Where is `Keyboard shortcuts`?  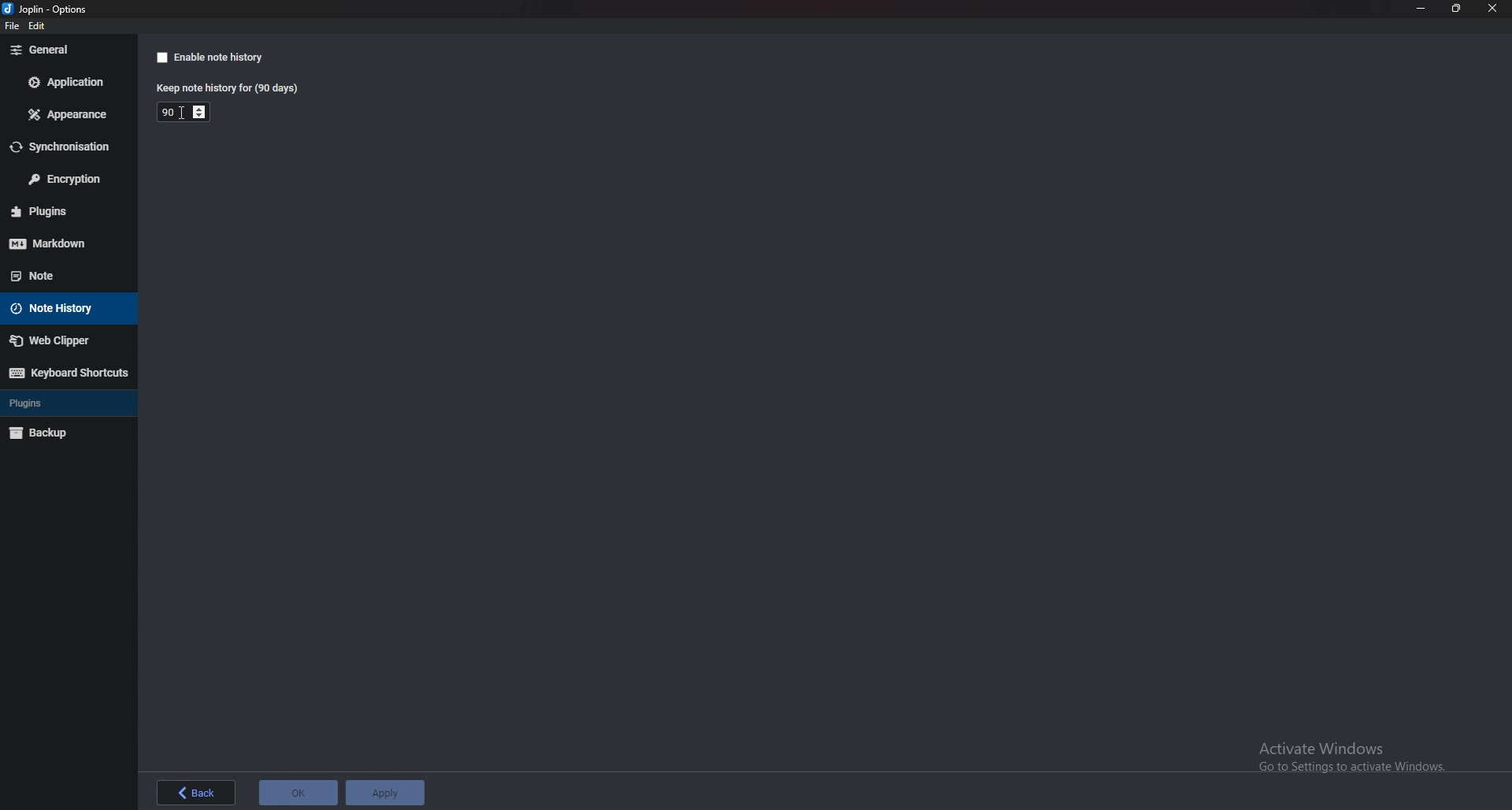
Keyboard shortcuts is located at coordinates (68, 373).